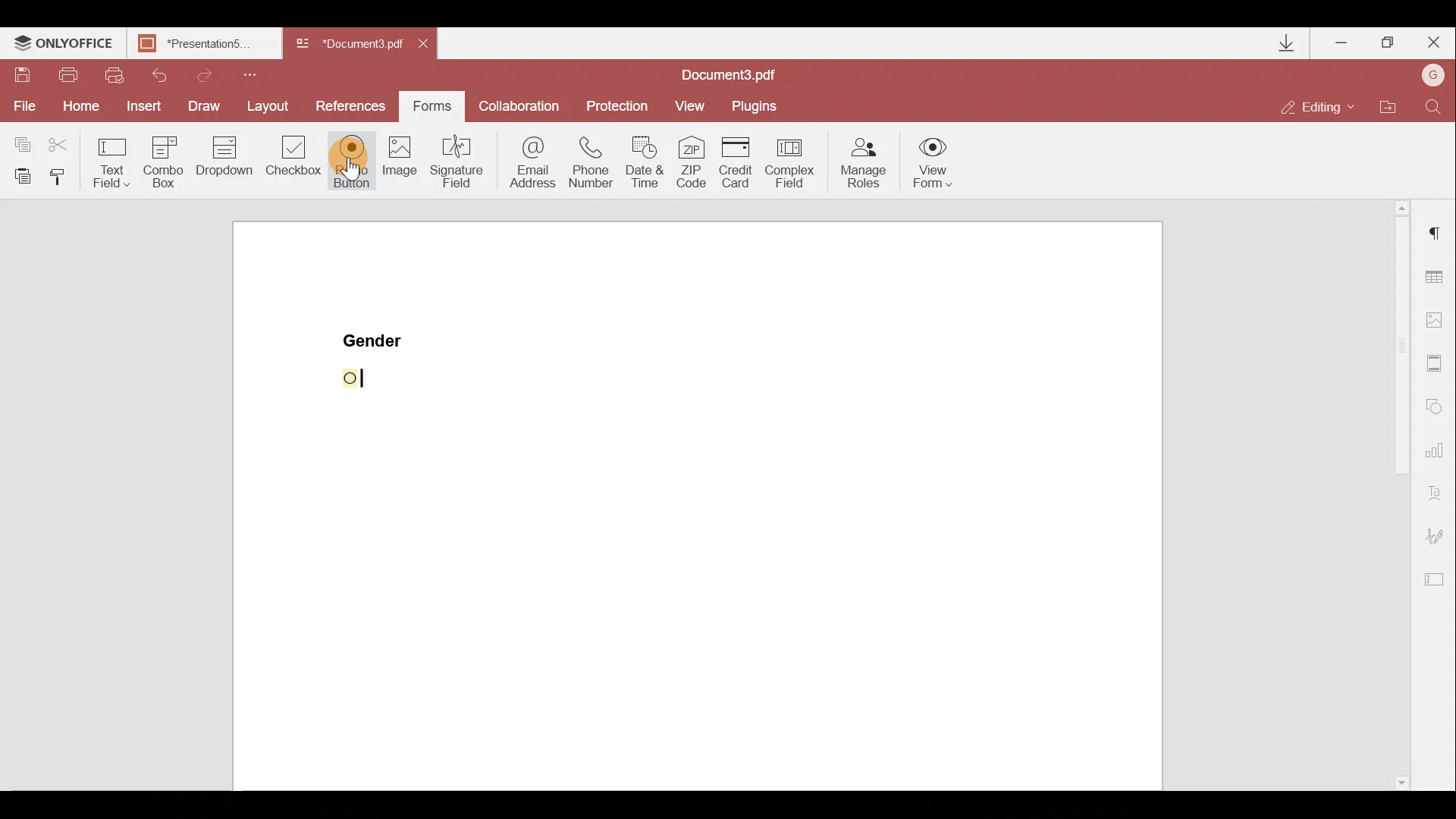  What do you see at coordinates (295, 160) in the screenshot?
I see `Checkbox` at bounding box center [295, 160].